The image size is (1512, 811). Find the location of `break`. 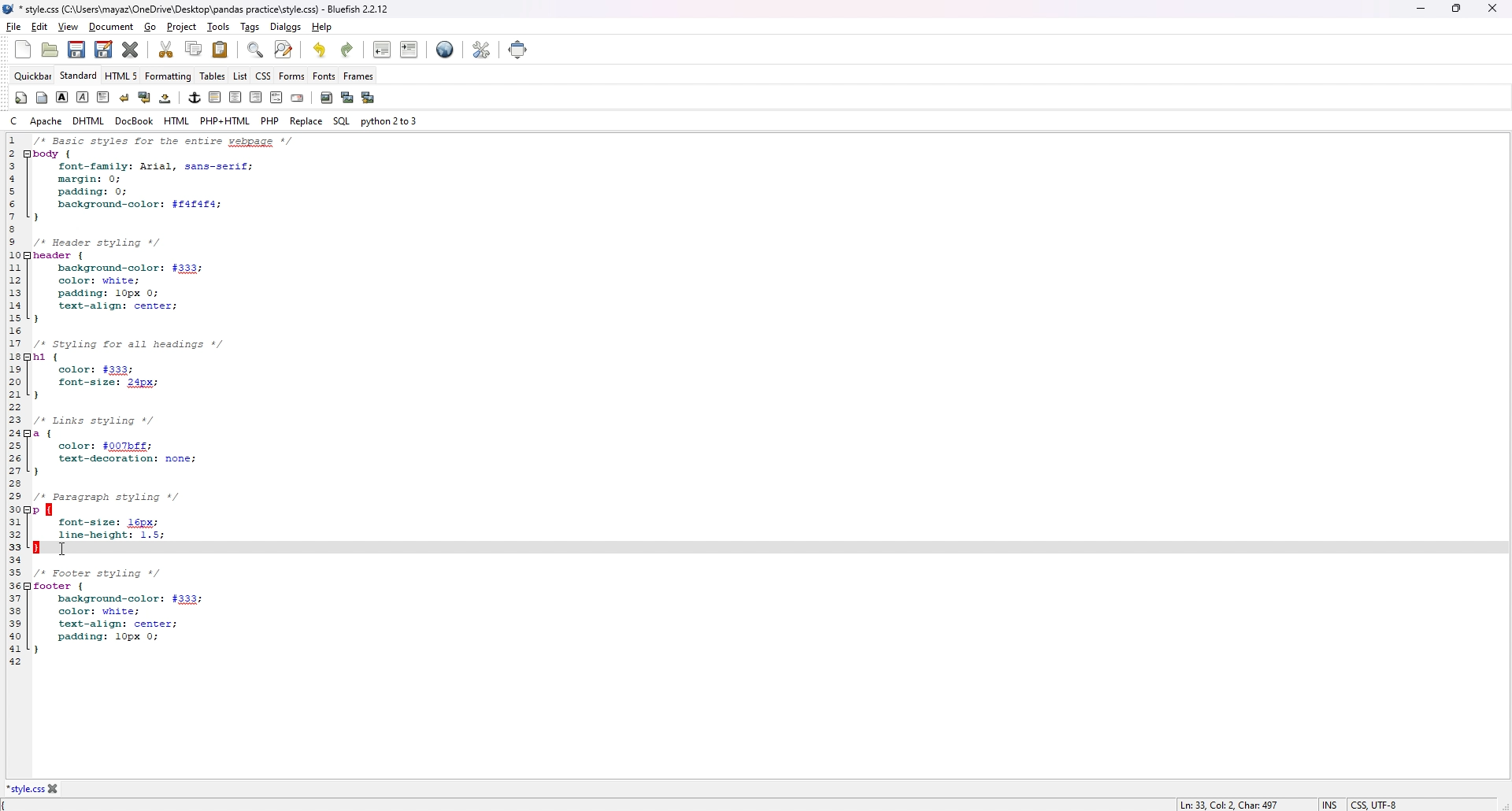

break is located at coordinates (124, 98).